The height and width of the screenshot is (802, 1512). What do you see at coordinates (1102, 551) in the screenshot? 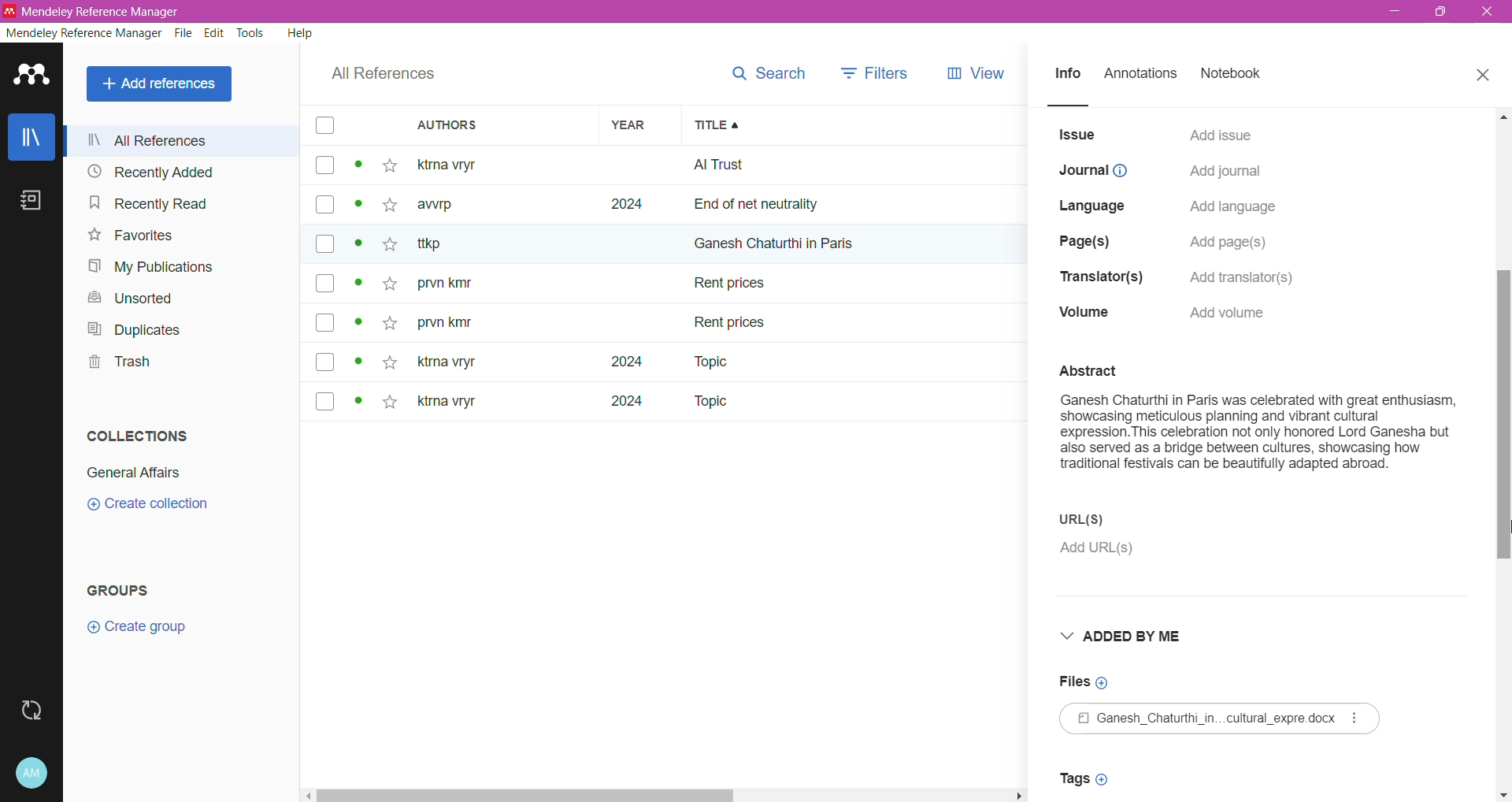
I see `Click to Add URL(S)` at bounding box center [1102, 551].